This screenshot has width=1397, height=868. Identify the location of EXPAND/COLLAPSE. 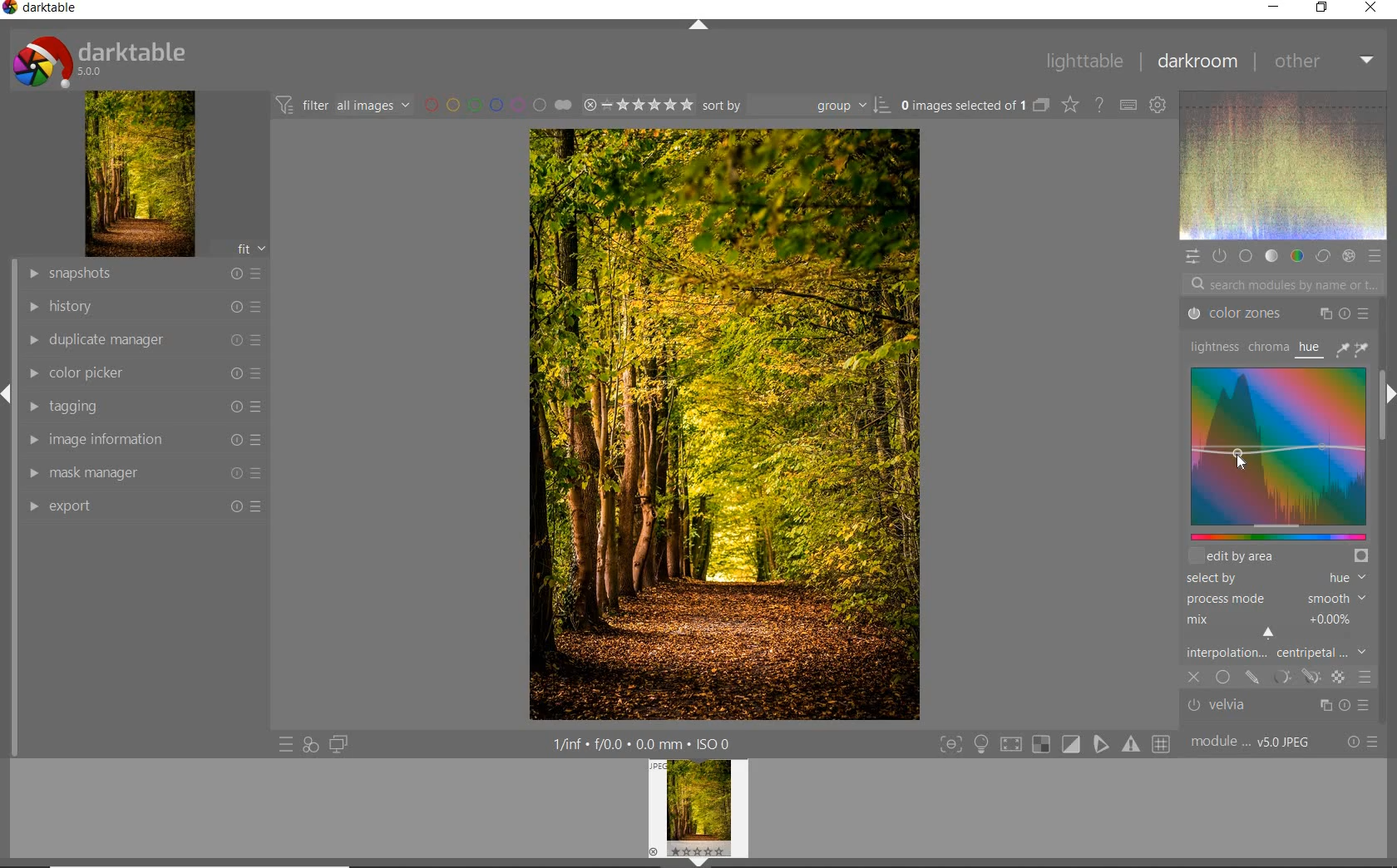
(697, 24).